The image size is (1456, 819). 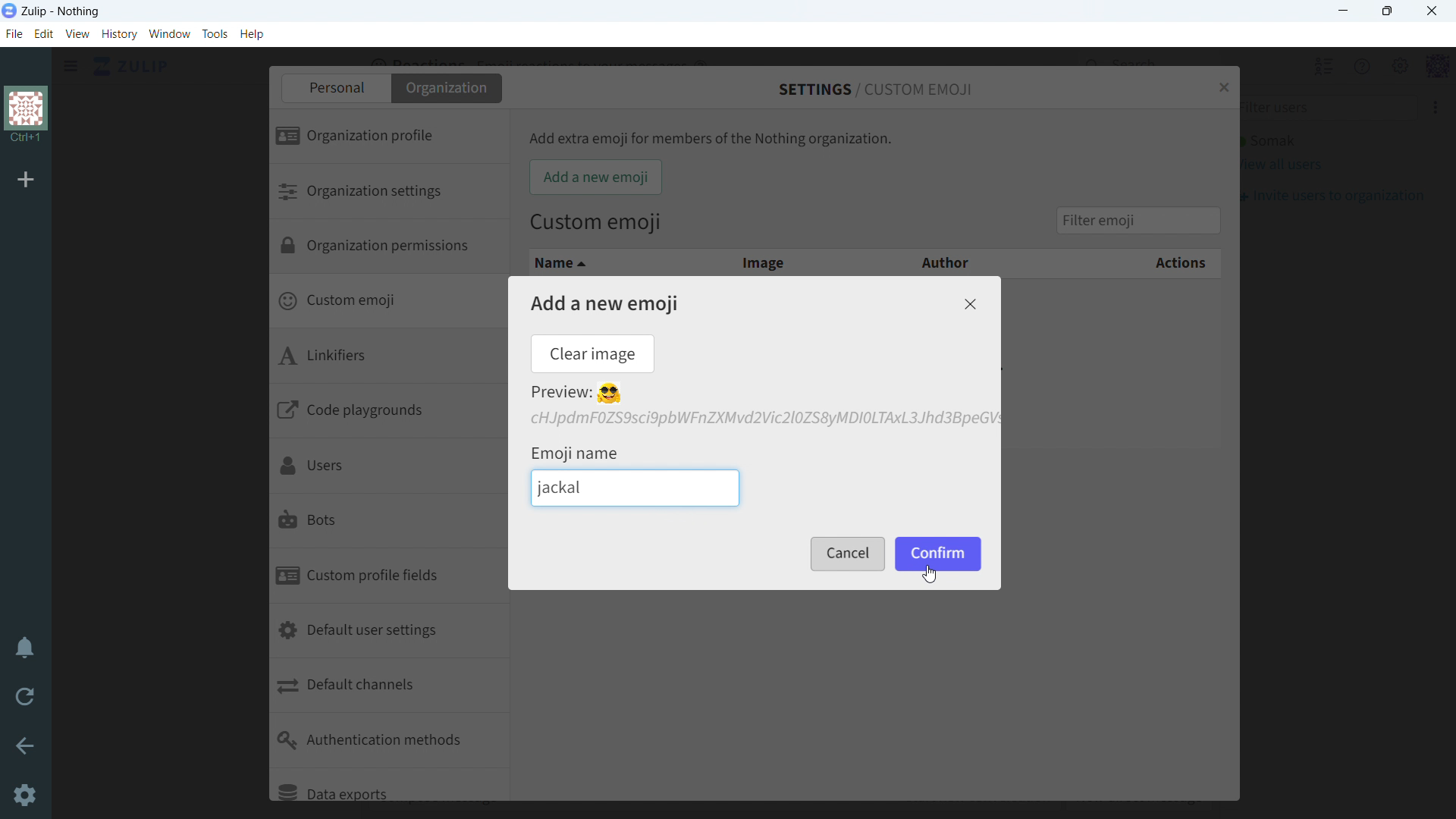 I want to click on author, so click(x=935, y=261).